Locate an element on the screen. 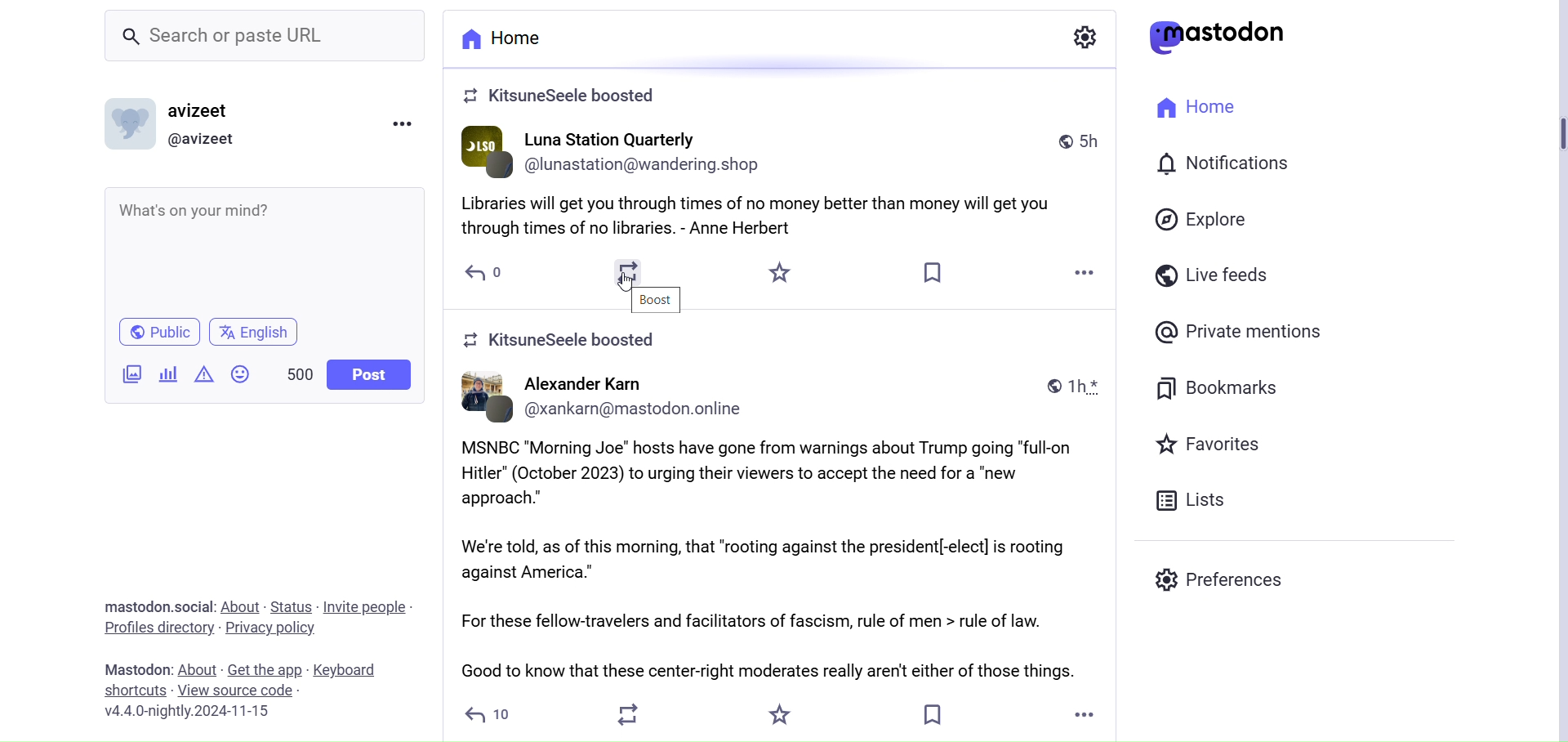 The width and height of the screenshot is (1568, 742). Get the app is located at coordinates (265, 670).